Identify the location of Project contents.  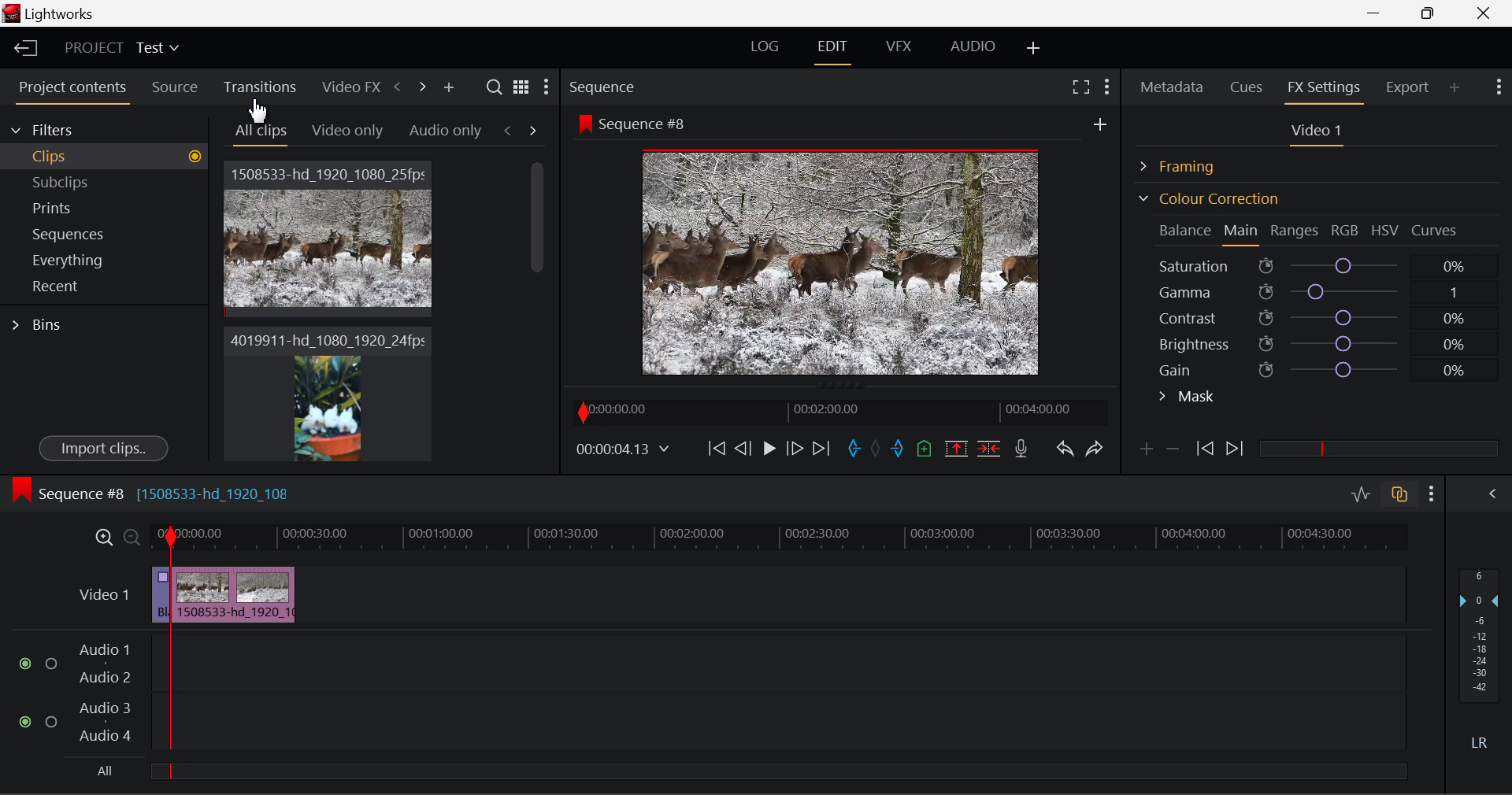
(72, 91).